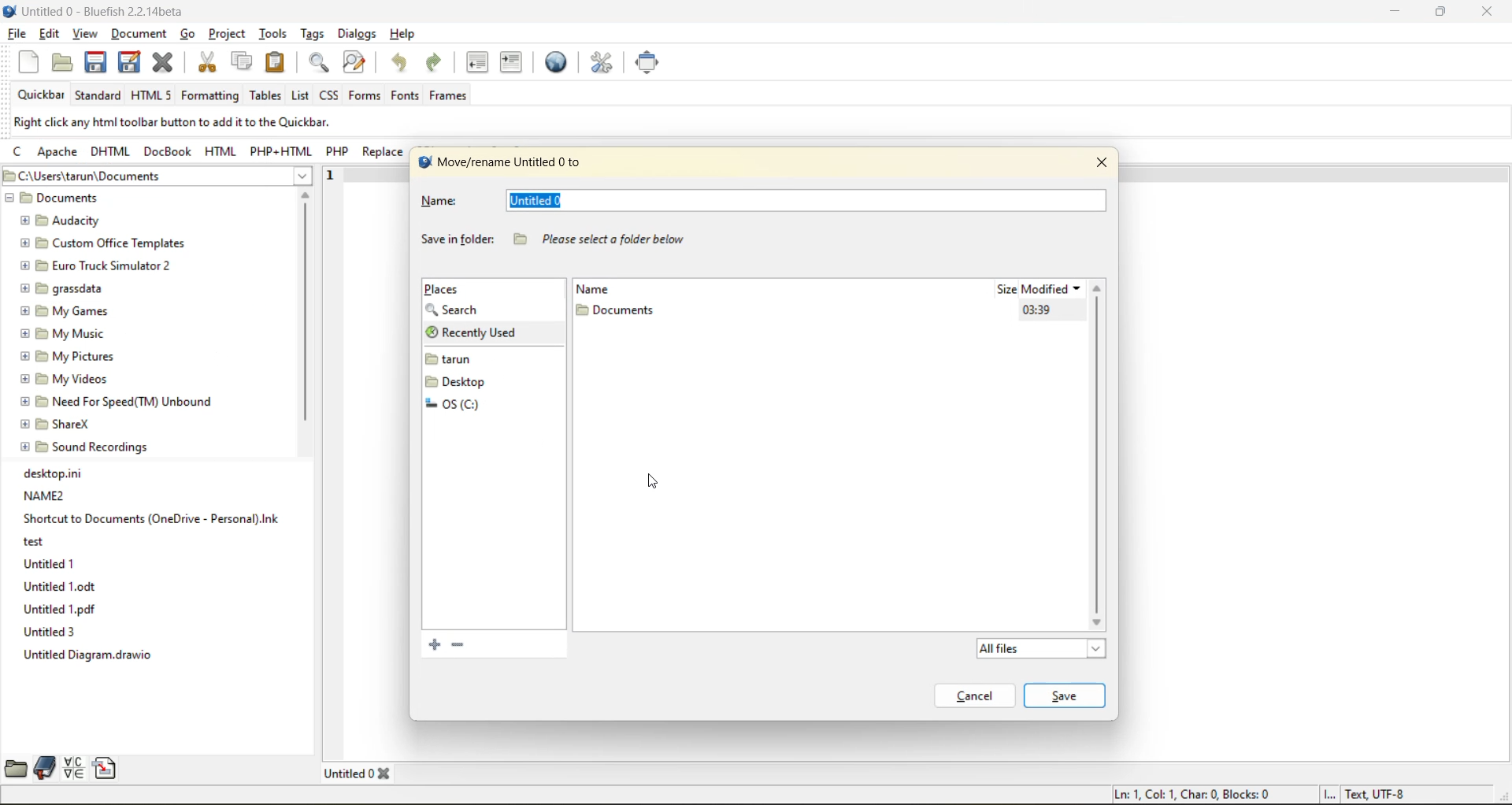  What do you see at coordinates (360, 772) in the screenshot?
I see `tabs` at bounding box center [360, 772].